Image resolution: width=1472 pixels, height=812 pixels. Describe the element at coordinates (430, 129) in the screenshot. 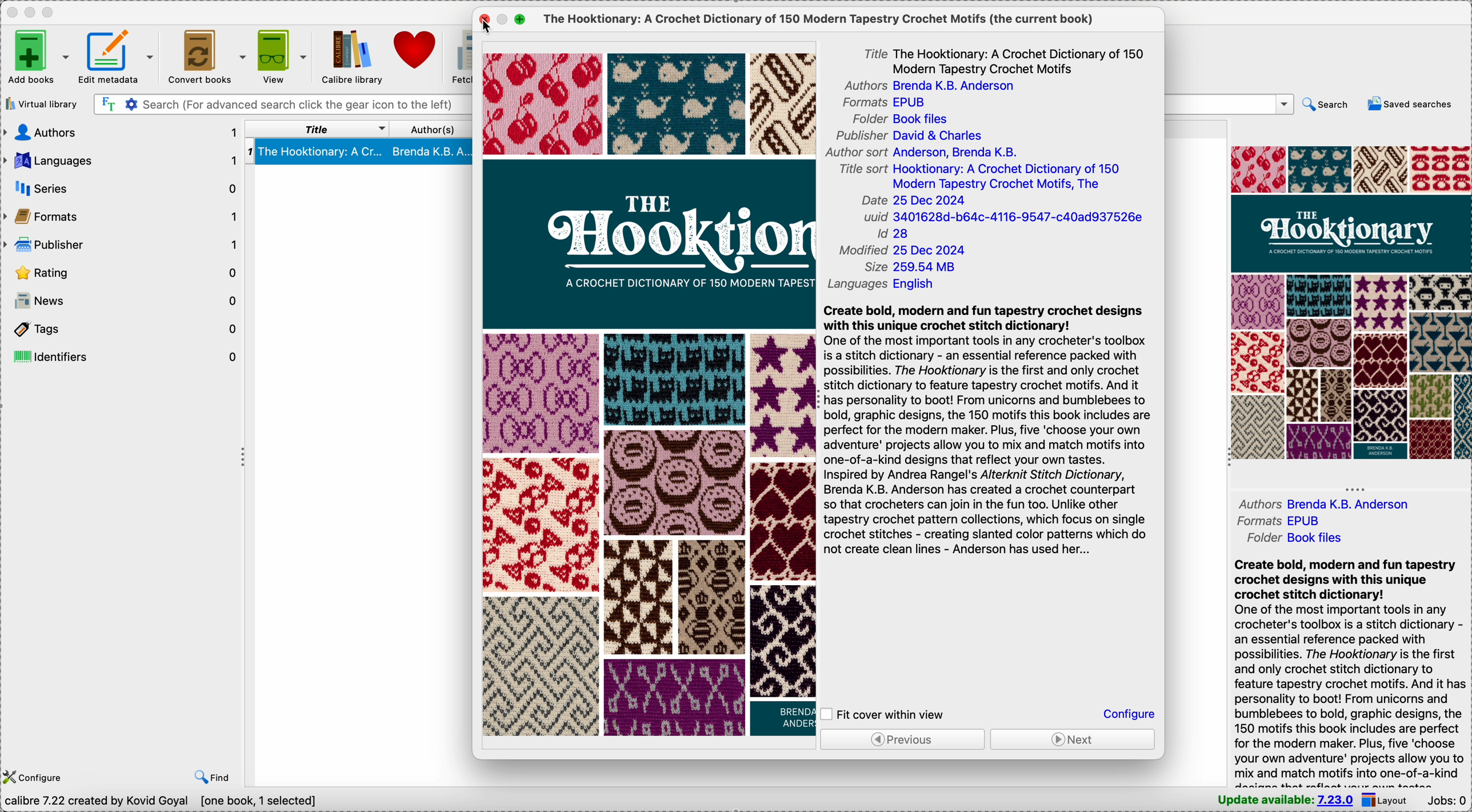

I see `author(s)` at that location.